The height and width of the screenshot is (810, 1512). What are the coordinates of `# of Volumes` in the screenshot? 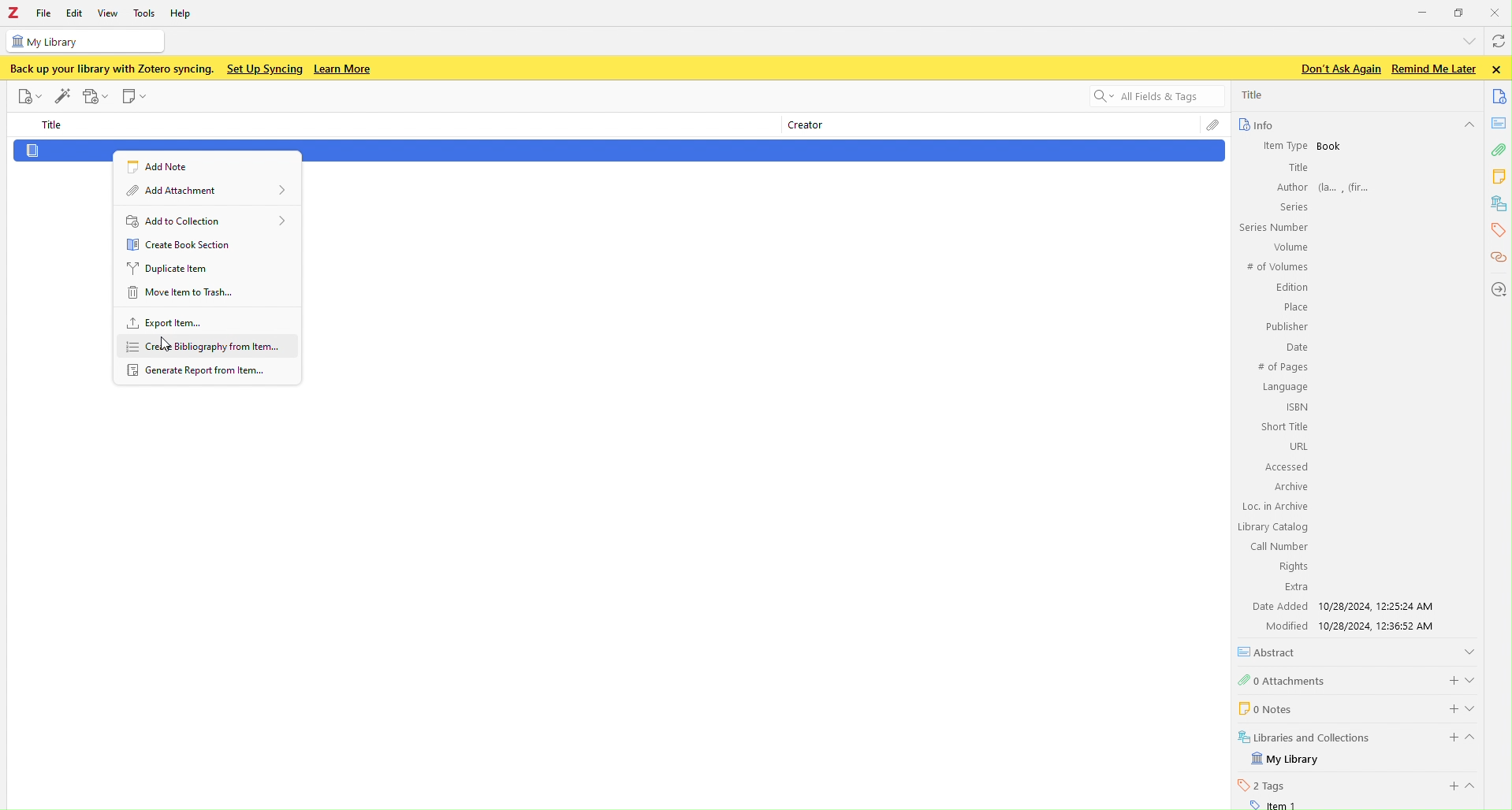 It's located at (1276, 267).